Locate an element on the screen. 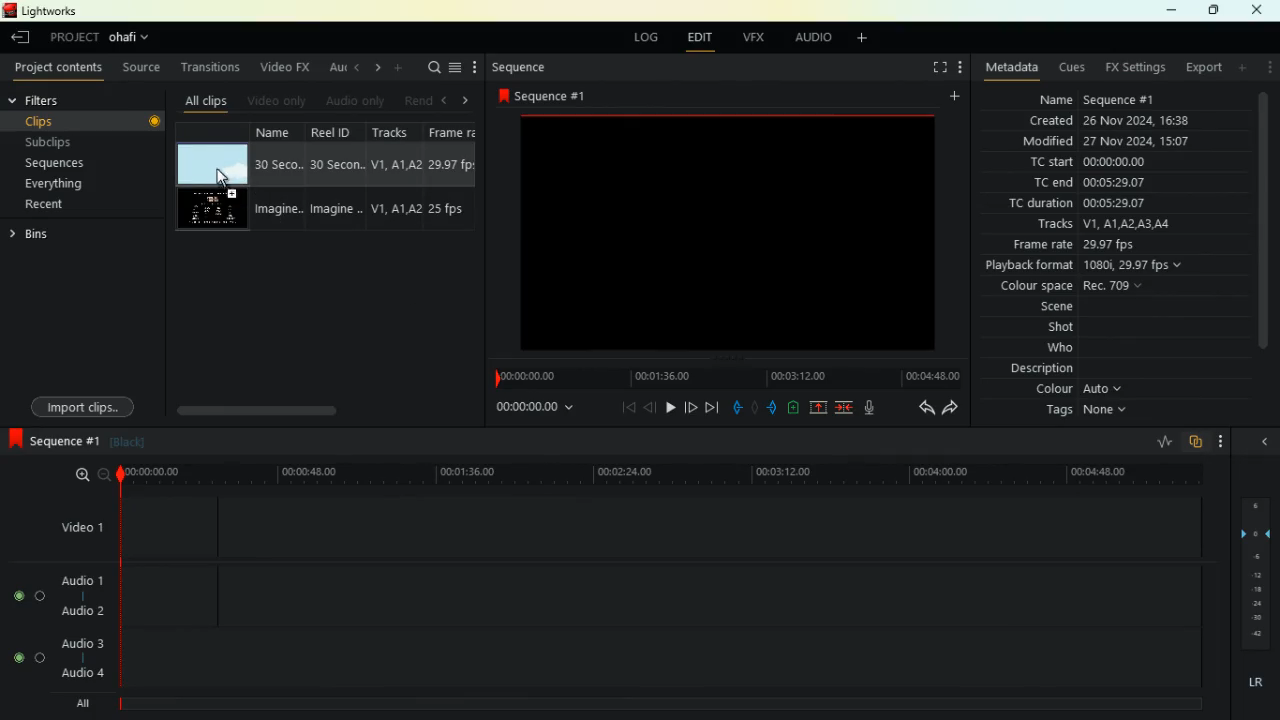 Image resolution: width=1280 pixels, height=720 pixels. 26 Nov 2024 16:38 is located at coordinates (1141, 121).